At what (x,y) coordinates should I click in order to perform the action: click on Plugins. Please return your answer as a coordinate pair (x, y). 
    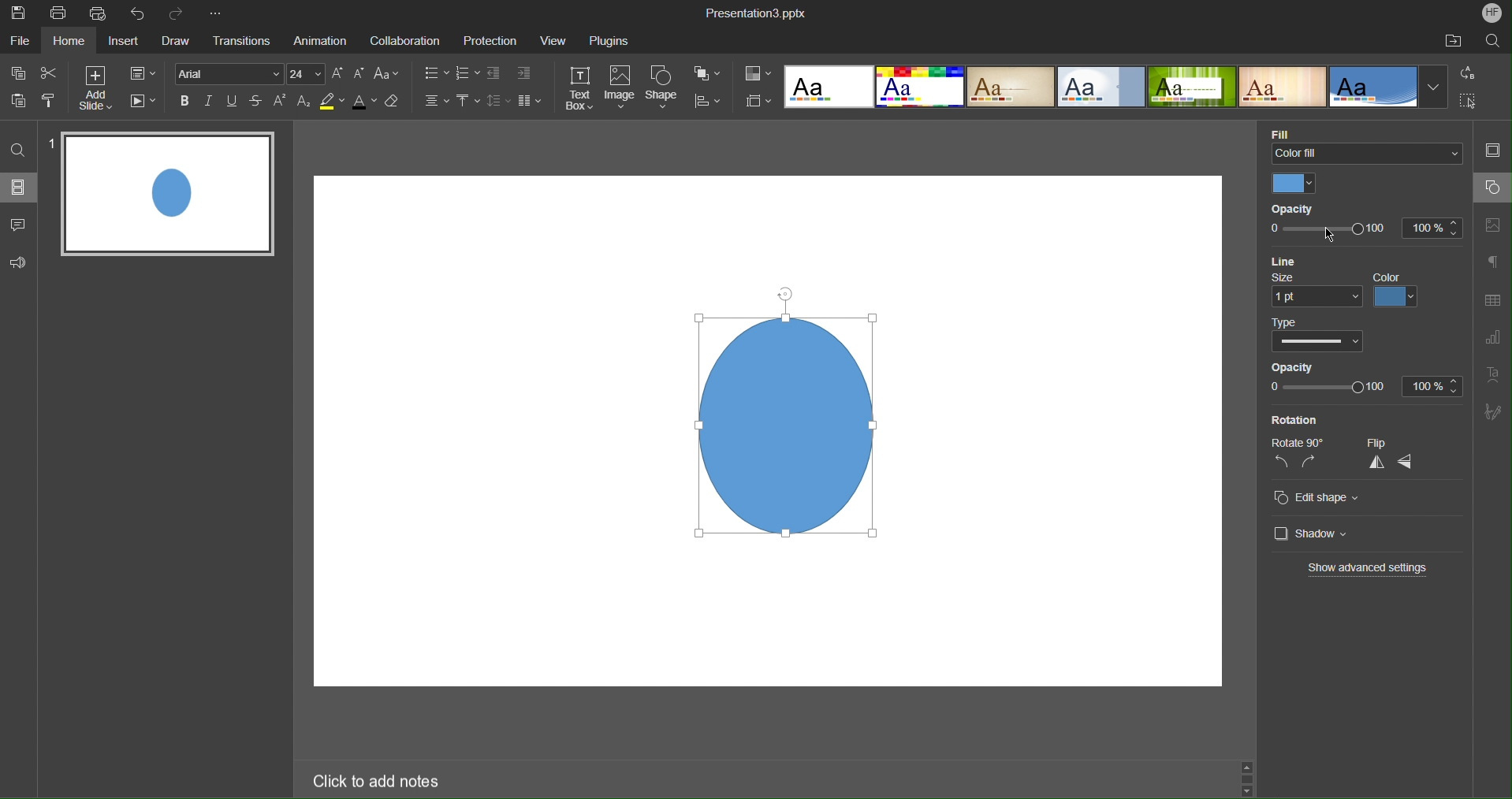
    Looking at the image, I should click on (610, 42).